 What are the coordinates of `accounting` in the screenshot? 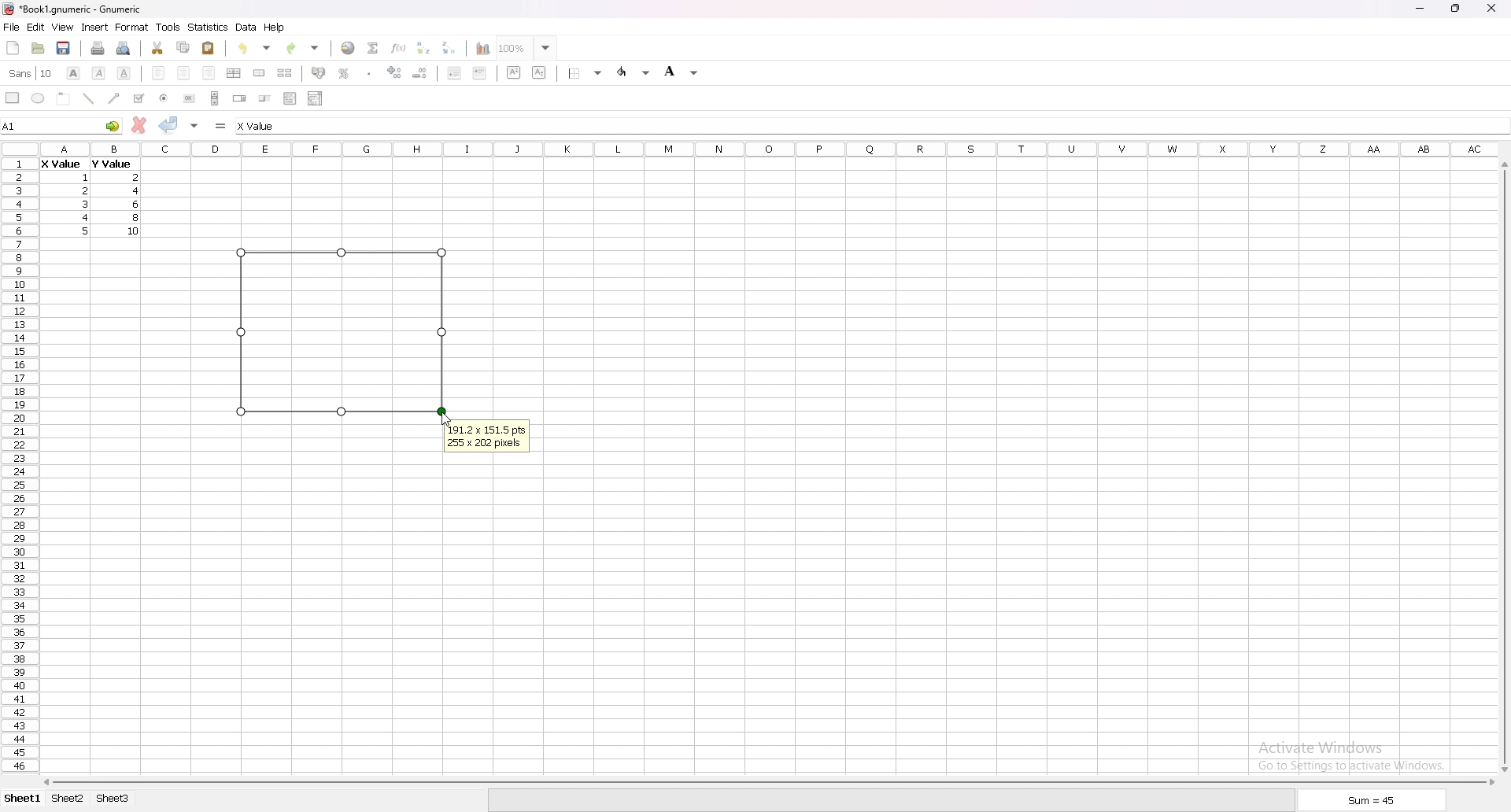 It's located at (320, 72).